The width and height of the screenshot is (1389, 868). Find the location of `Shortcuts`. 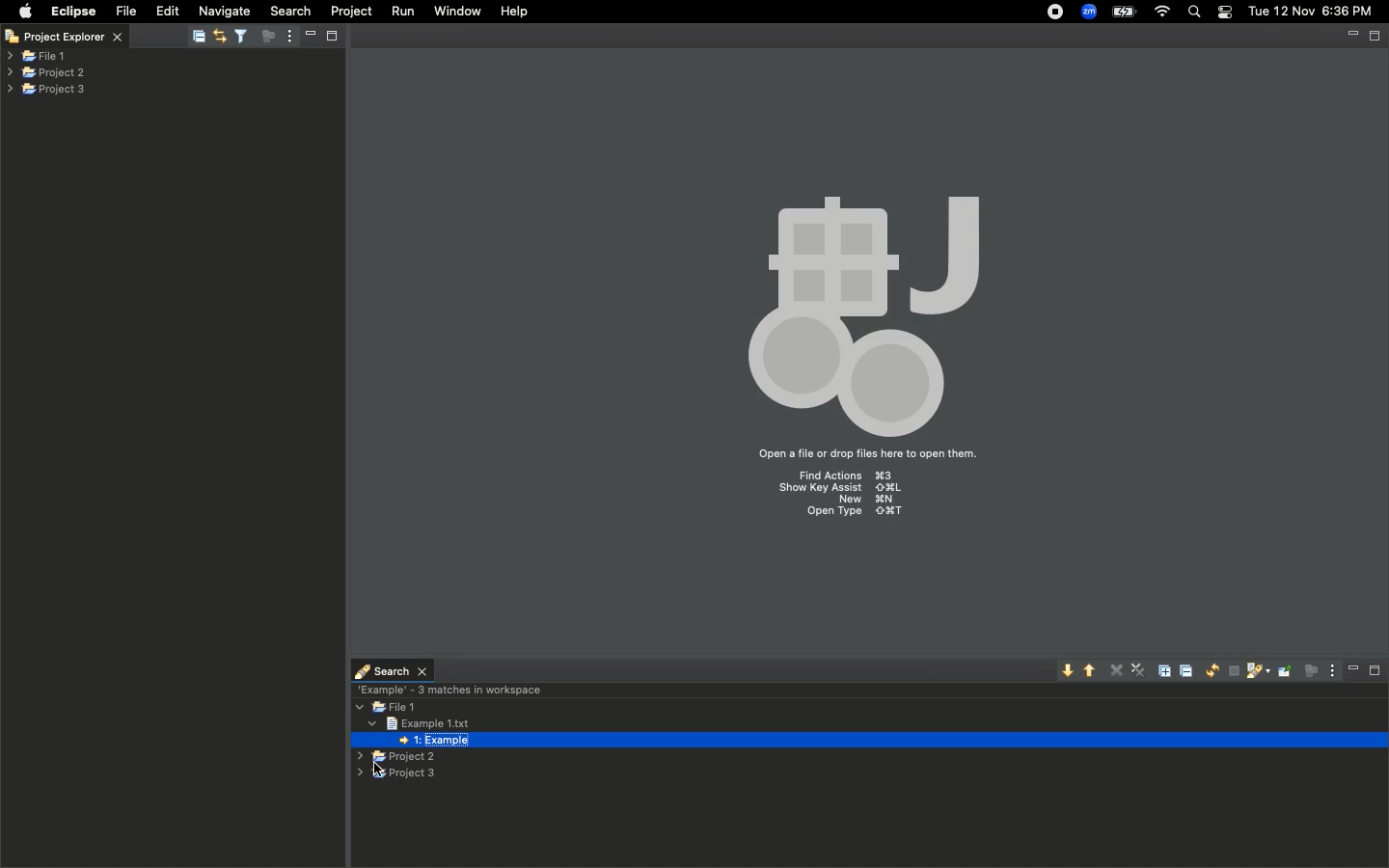

Shortcuts is located at coordinates (845, 498).